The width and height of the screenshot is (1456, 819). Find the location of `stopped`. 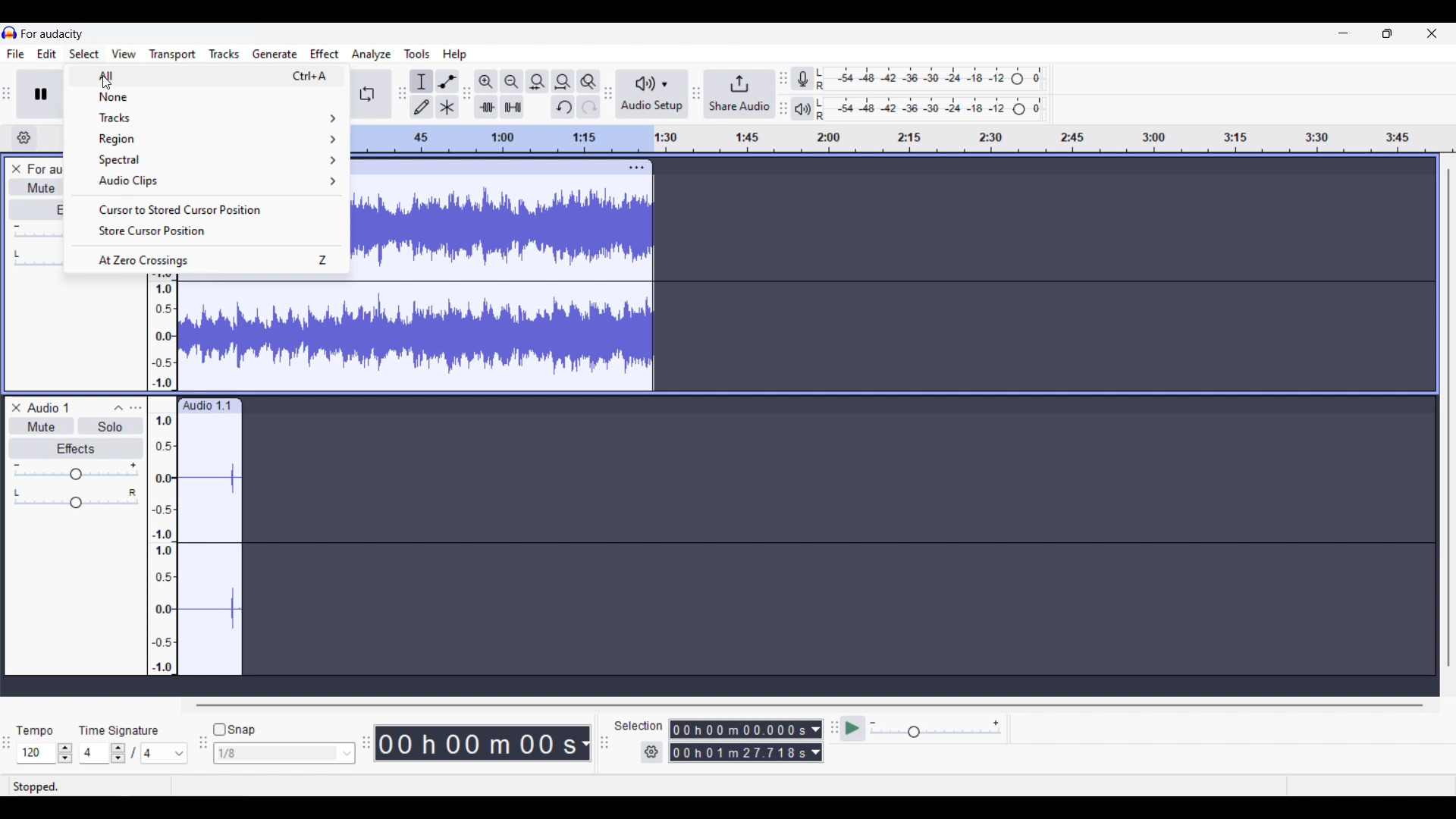

stopped is located at coordinates (57, 786).